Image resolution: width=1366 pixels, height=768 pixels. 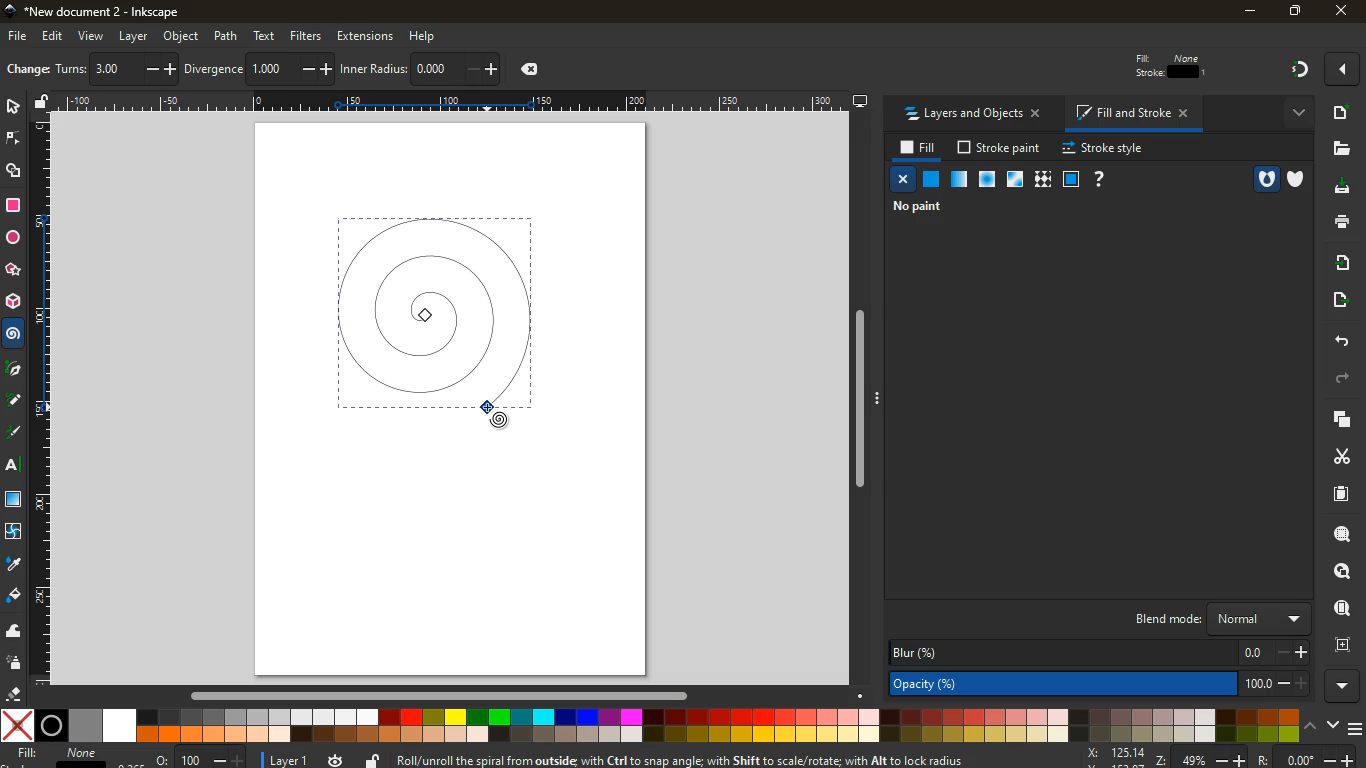 I want to click on change, so click(x=26, y=68).